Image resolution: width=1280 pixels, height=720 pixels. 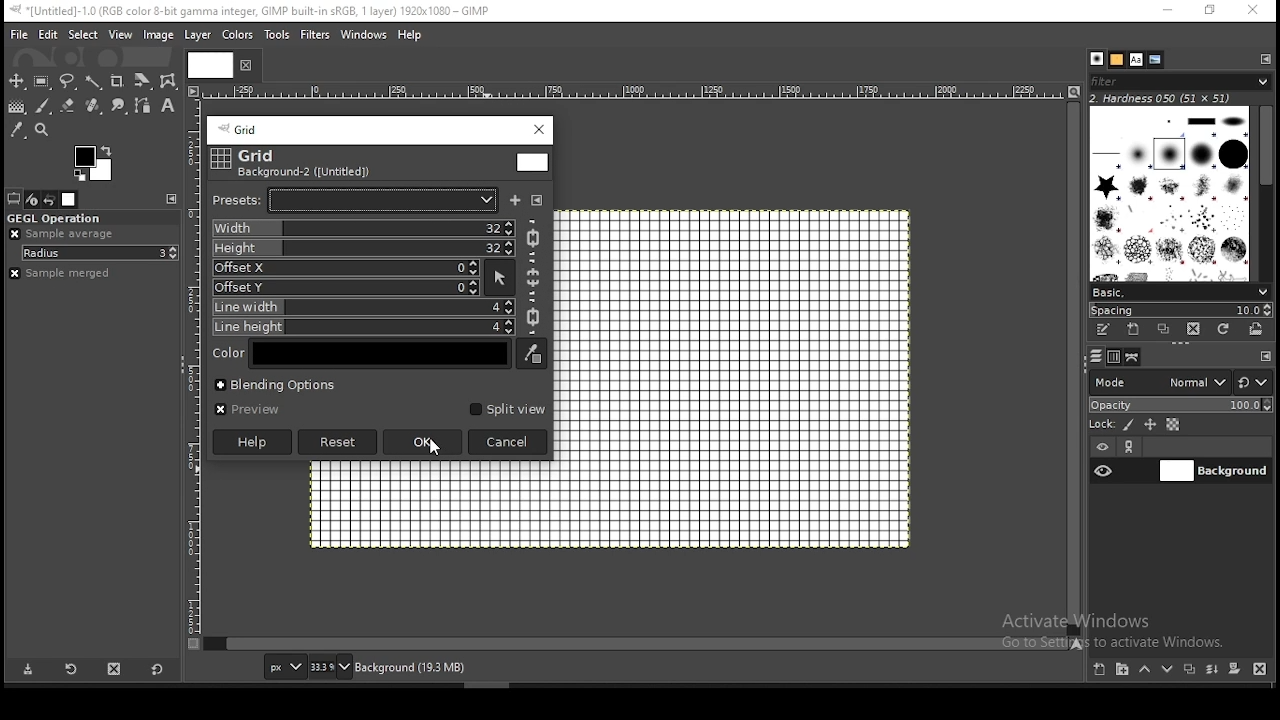 What do you see at coordinates (1258, 670) in the screenshot?
I see `delete layer` at bounding box center [1258, 670].